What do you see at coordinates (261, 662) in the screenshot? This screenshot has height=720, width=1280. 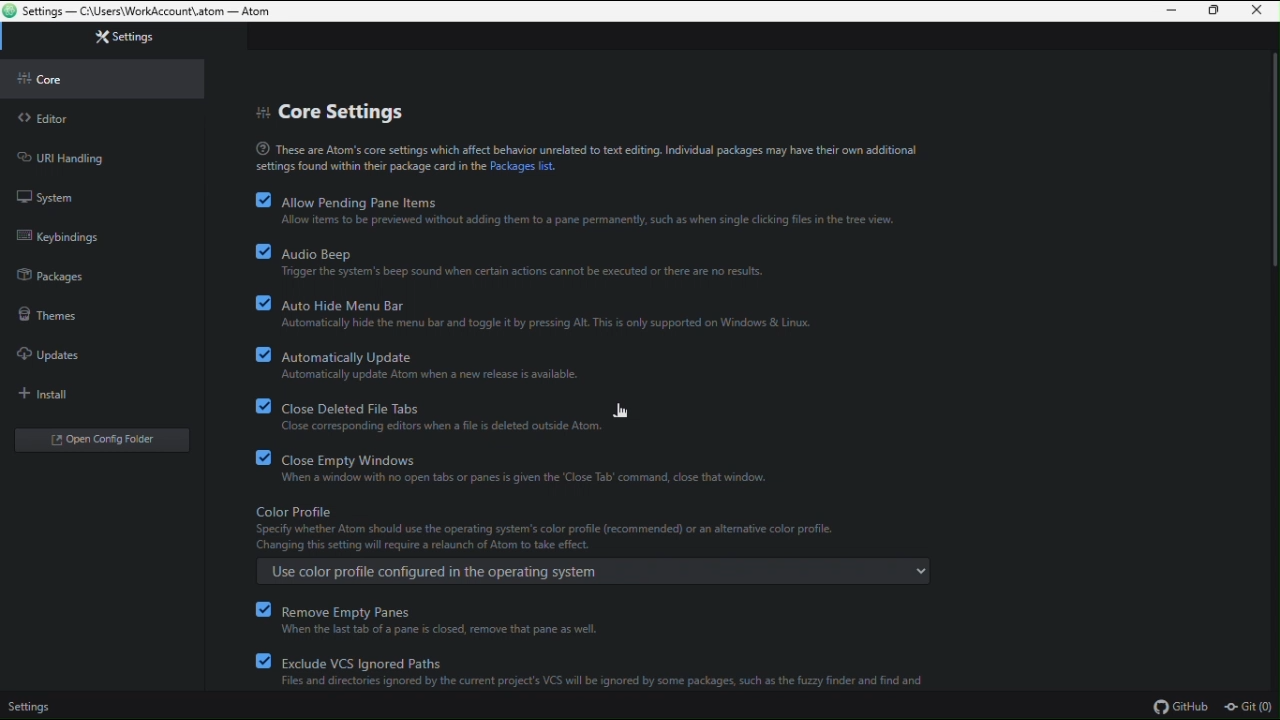 I see `checkbox` at bounding box center [261, 662].